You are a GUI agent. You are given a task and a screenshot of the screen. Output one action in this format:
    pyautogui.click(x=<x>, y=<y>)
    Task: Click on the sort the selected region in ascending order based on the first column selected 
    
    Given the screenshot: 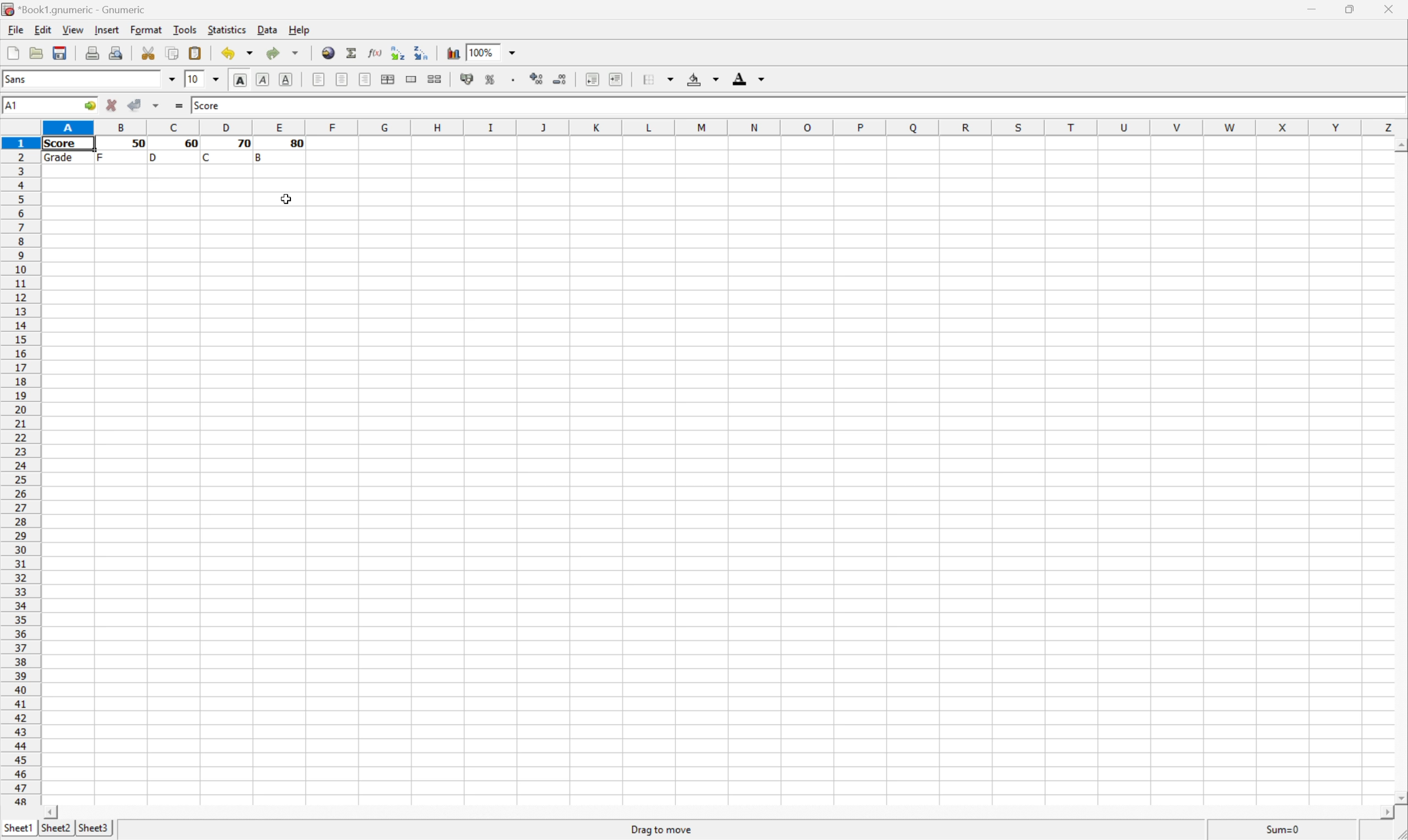 What is the action you would take?
    pyautogui.click(x=396, y=52)
    